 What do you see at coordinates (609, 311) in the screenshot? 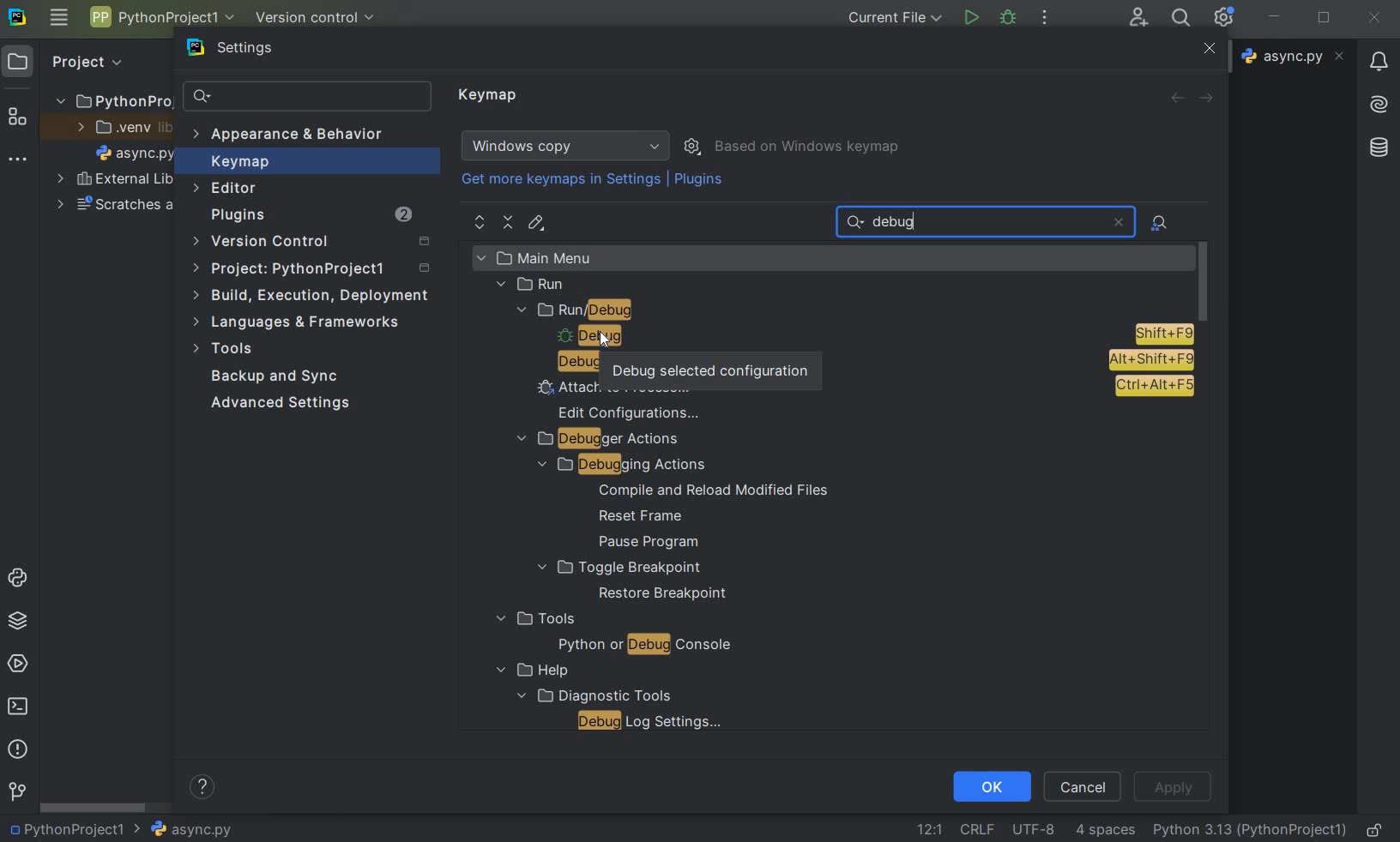
I see `run/debug` at bounding box center [609, 311].